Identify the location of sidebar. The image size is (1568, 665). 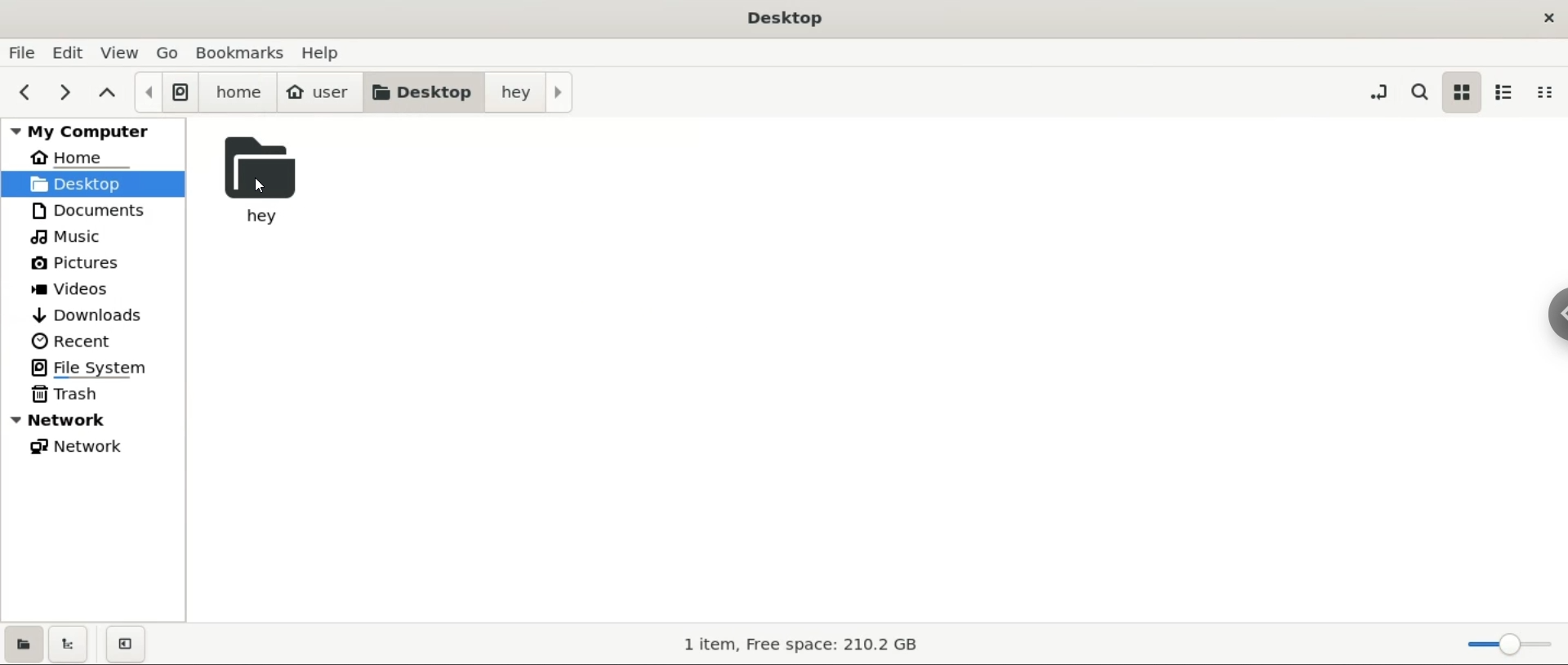
(1555, 315).